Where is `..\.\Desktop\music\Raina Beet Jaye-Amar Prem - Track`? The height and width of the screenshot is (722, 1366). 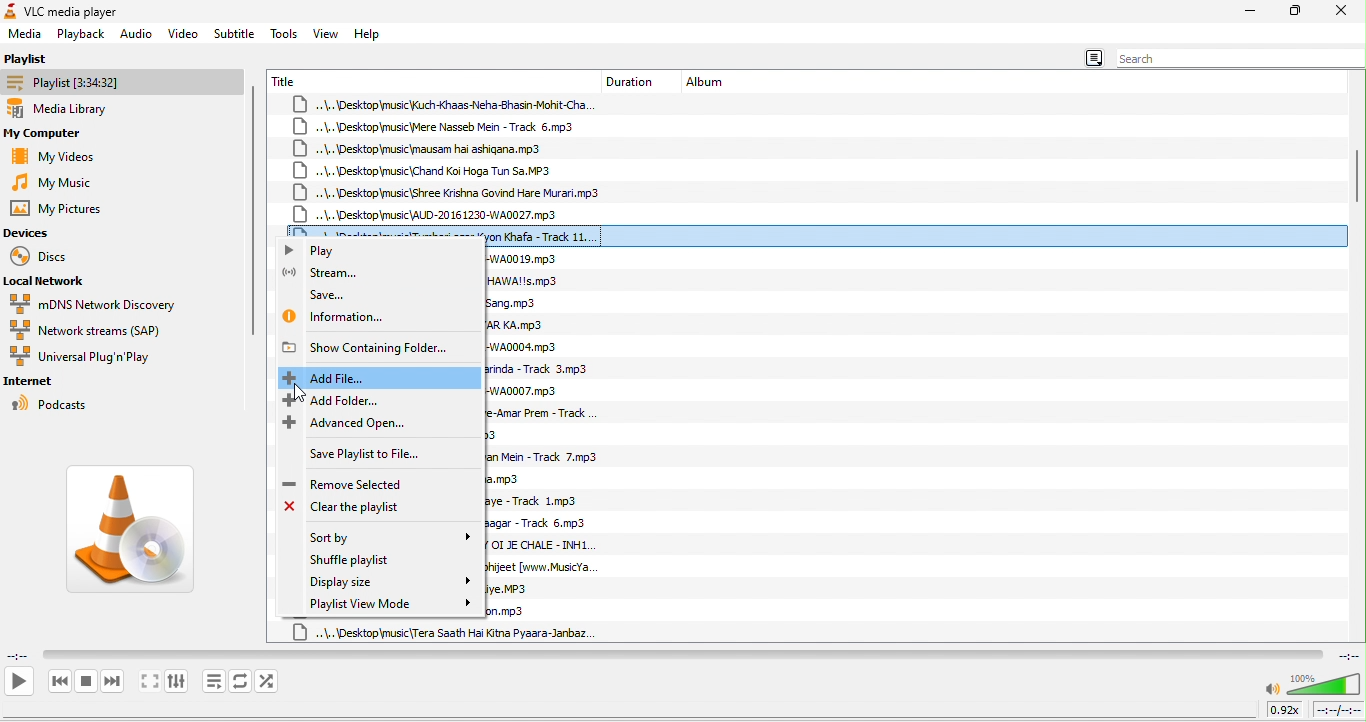
..\.\Desktop\music\Raina Beet Jaye-Amar Prem - Track is located at coordinates (542, 413).